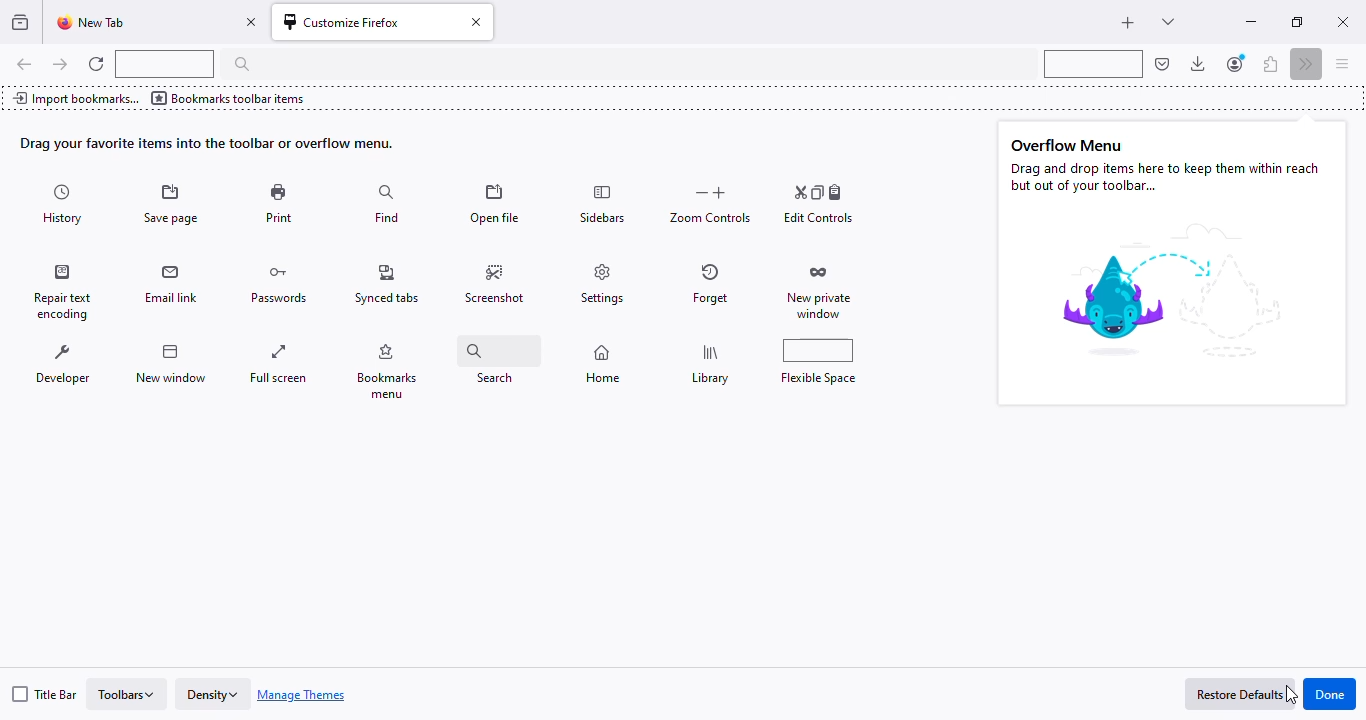 The image size is (1366, 720). I want to click on import bookmarks, so click(76, 98).